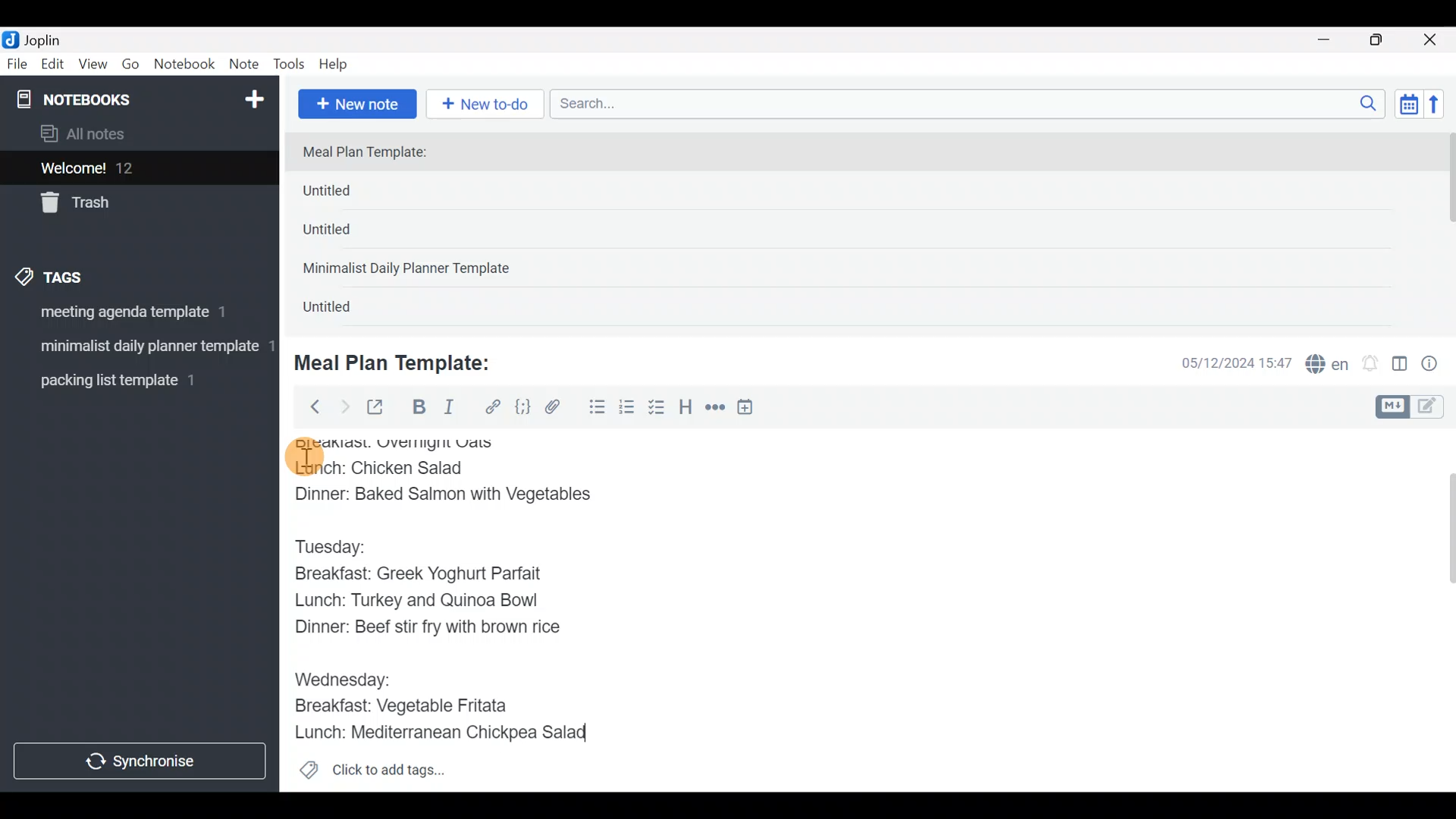  I want to click on Horizontal rule, so click(715, 409).